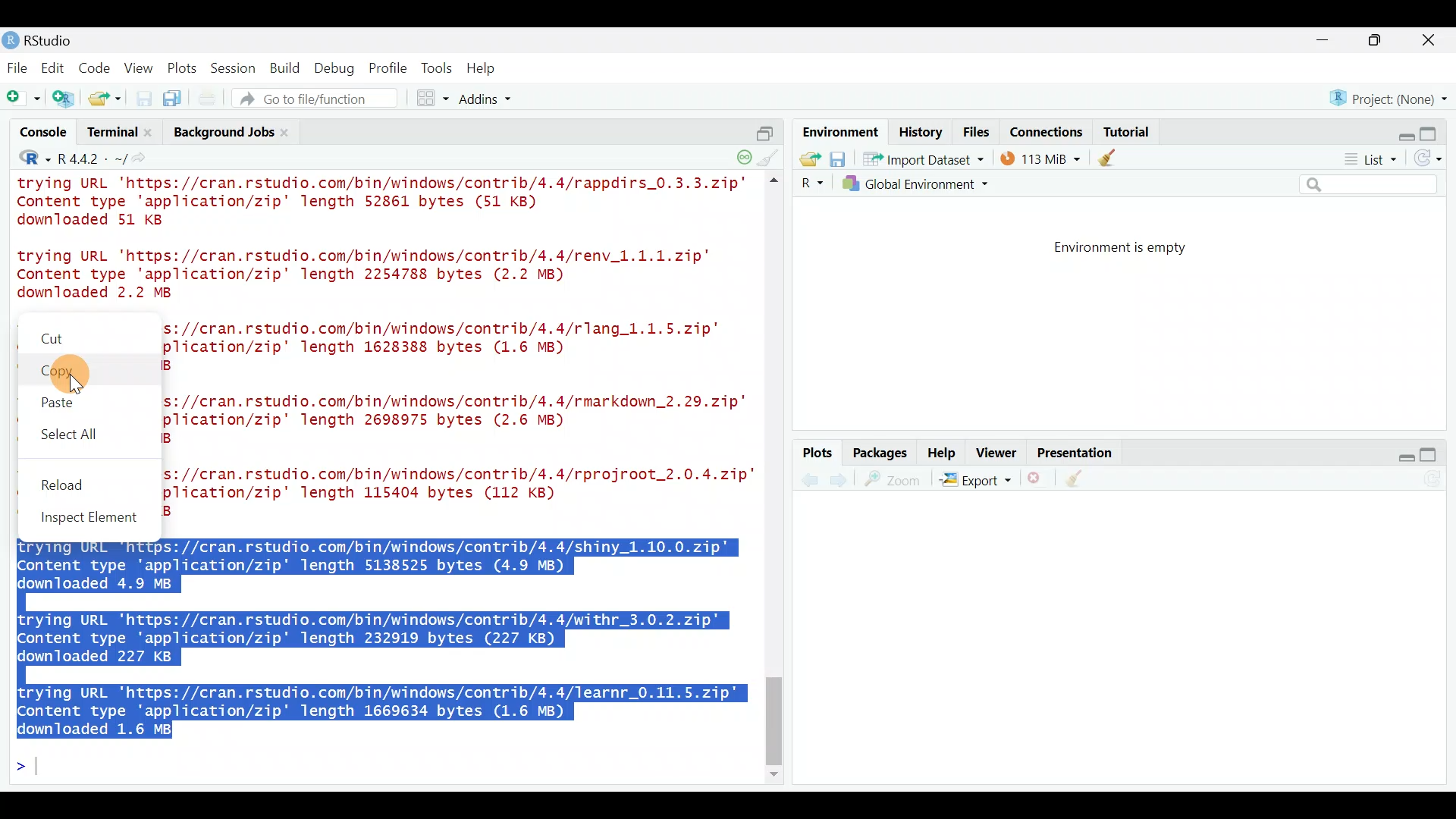 The image size is (1456, 819). Describe the element at coordinates (1433, 160) in the screenshot. I see `Refresh list of objects in the environment` at that location.